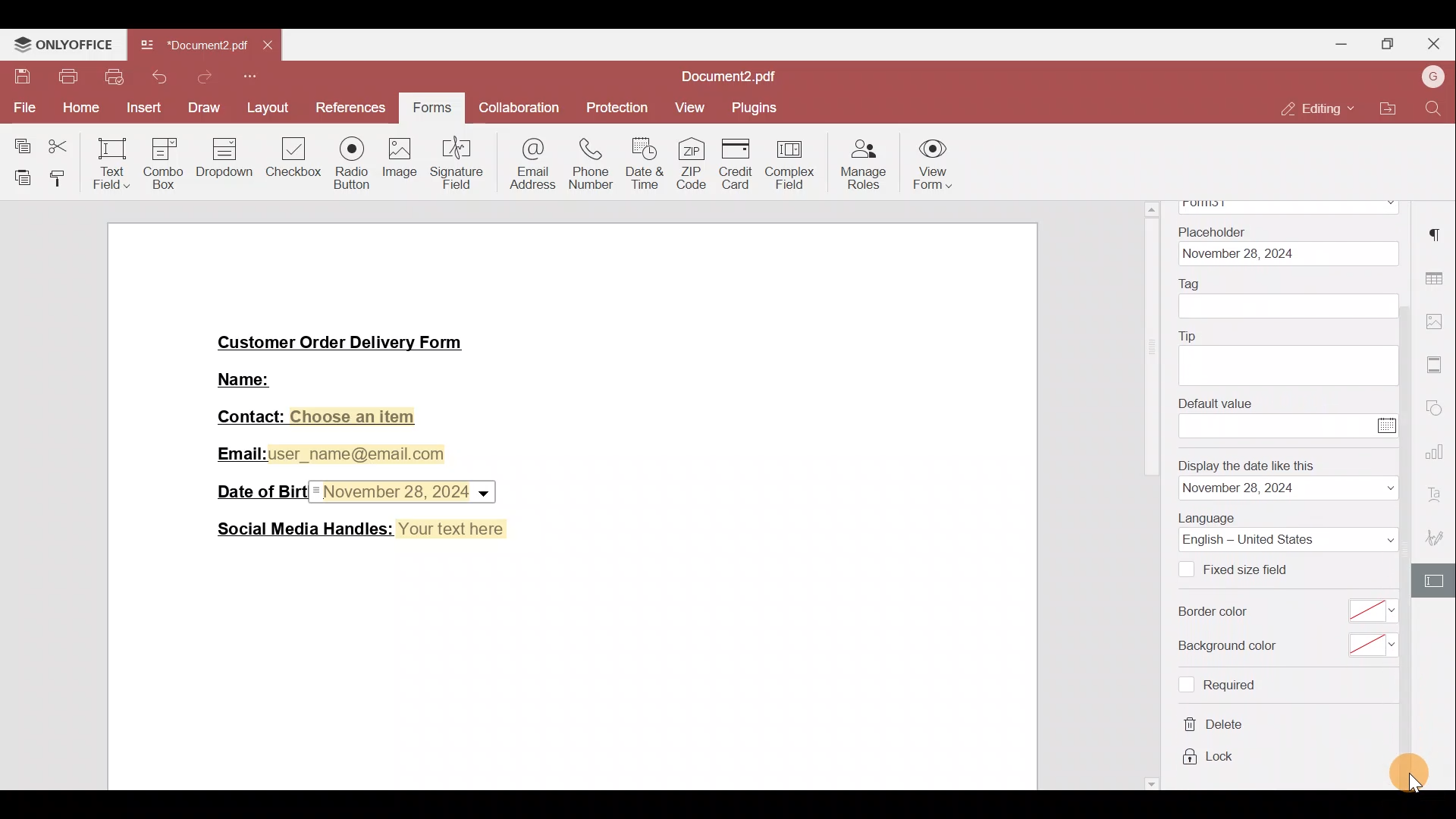 Image resolution: width=1456 pixels, height=819 pixels. What do you see at coordinates (1216, 725) in the screenshot?
I see `delete` at bounding box center [1216, 725].